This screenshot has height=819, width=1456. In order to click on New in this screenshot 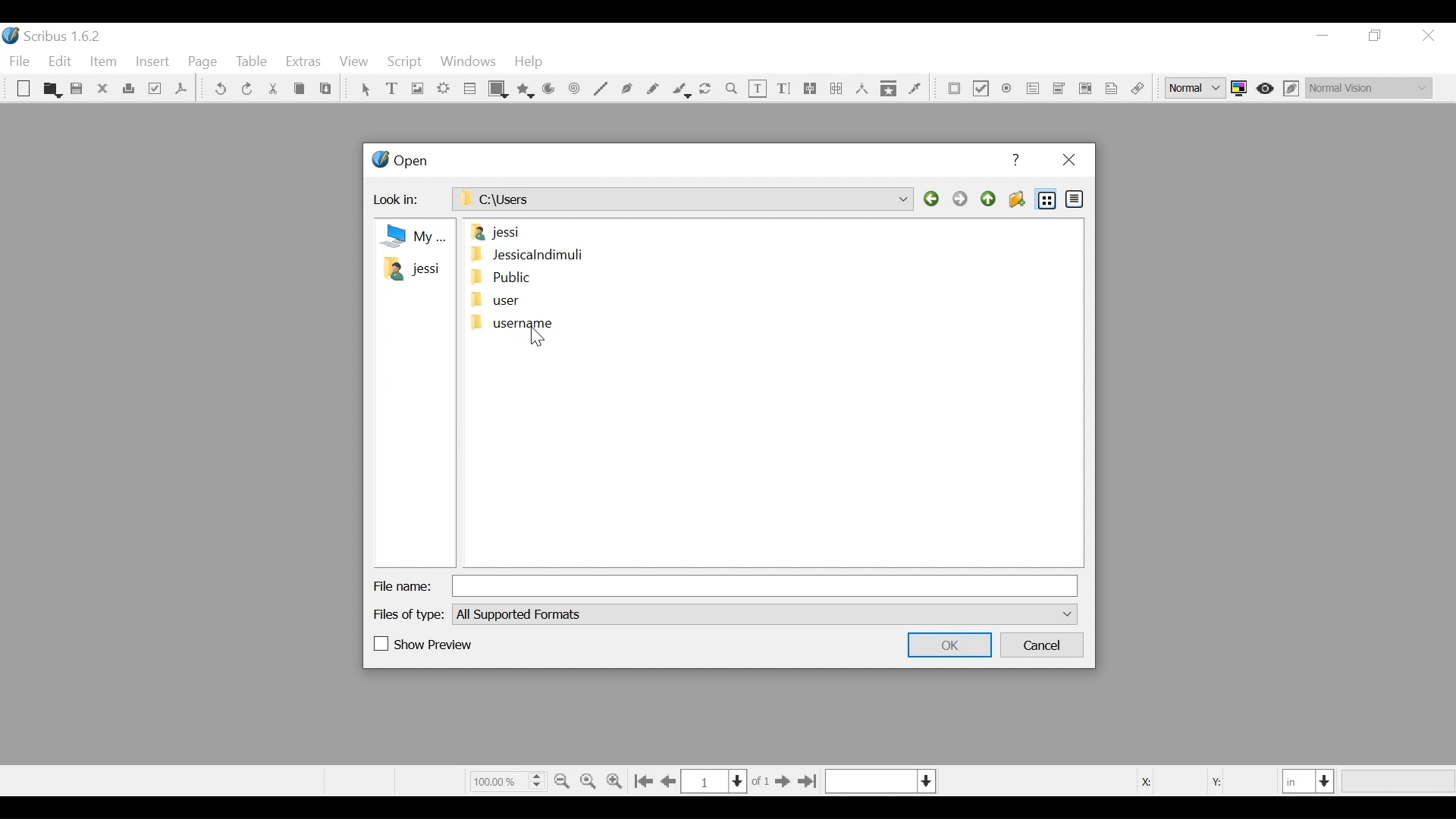, I will do `click(24, 90)`.